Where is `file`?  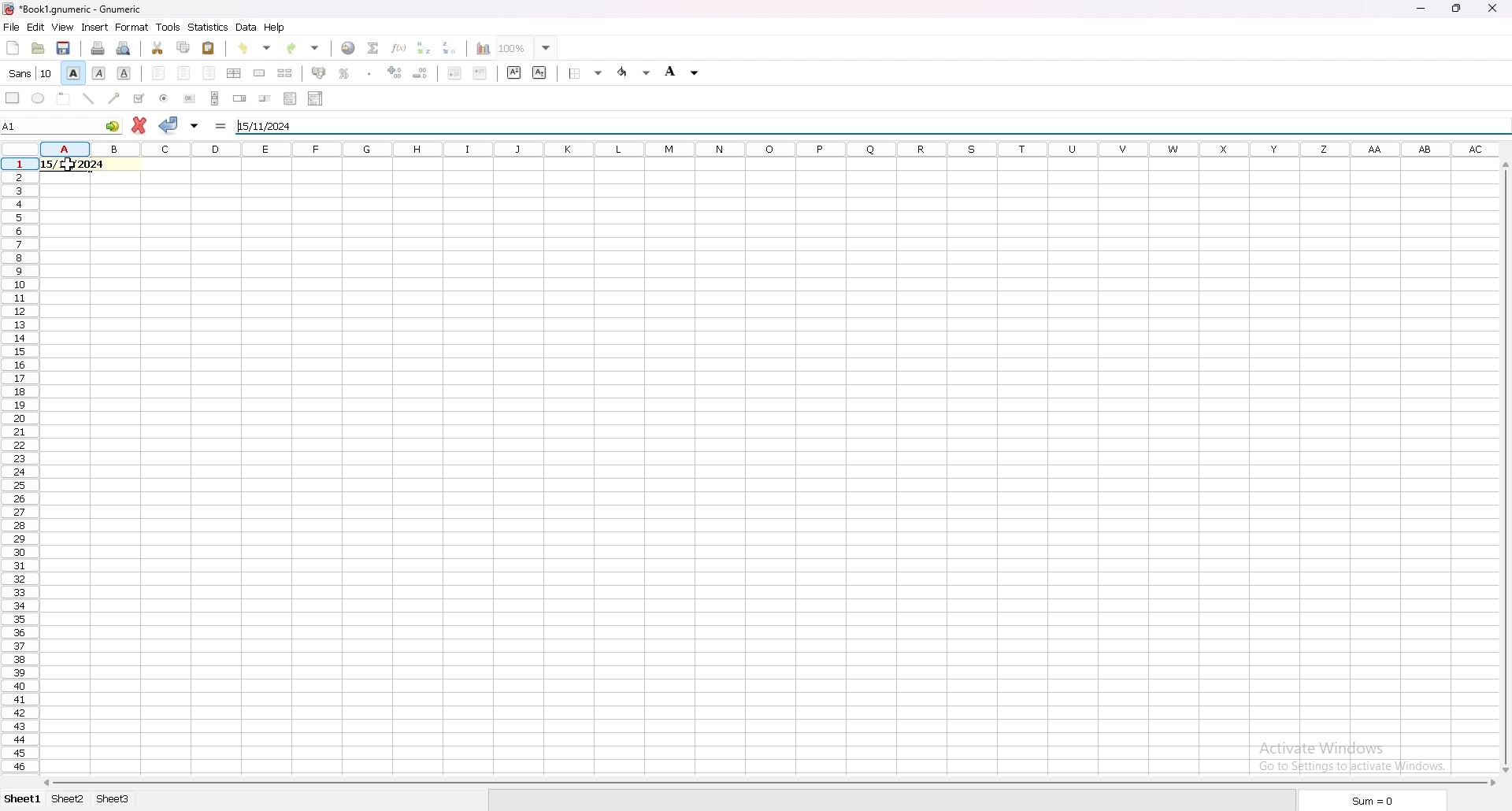
file is located at coordinates (12, 27).